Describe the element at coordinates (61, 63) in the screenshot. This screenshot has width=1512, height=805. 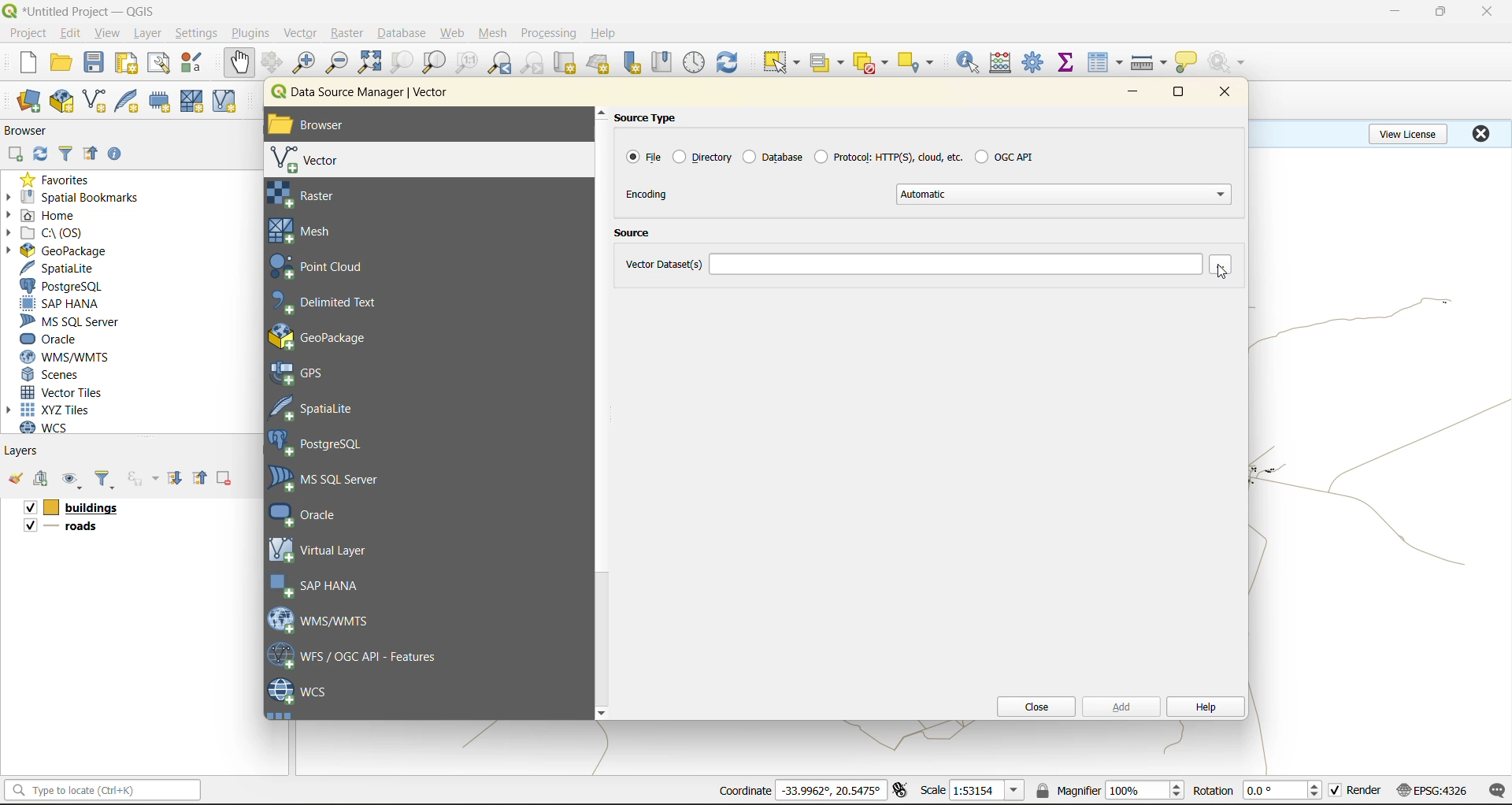
I see `open` at that location.